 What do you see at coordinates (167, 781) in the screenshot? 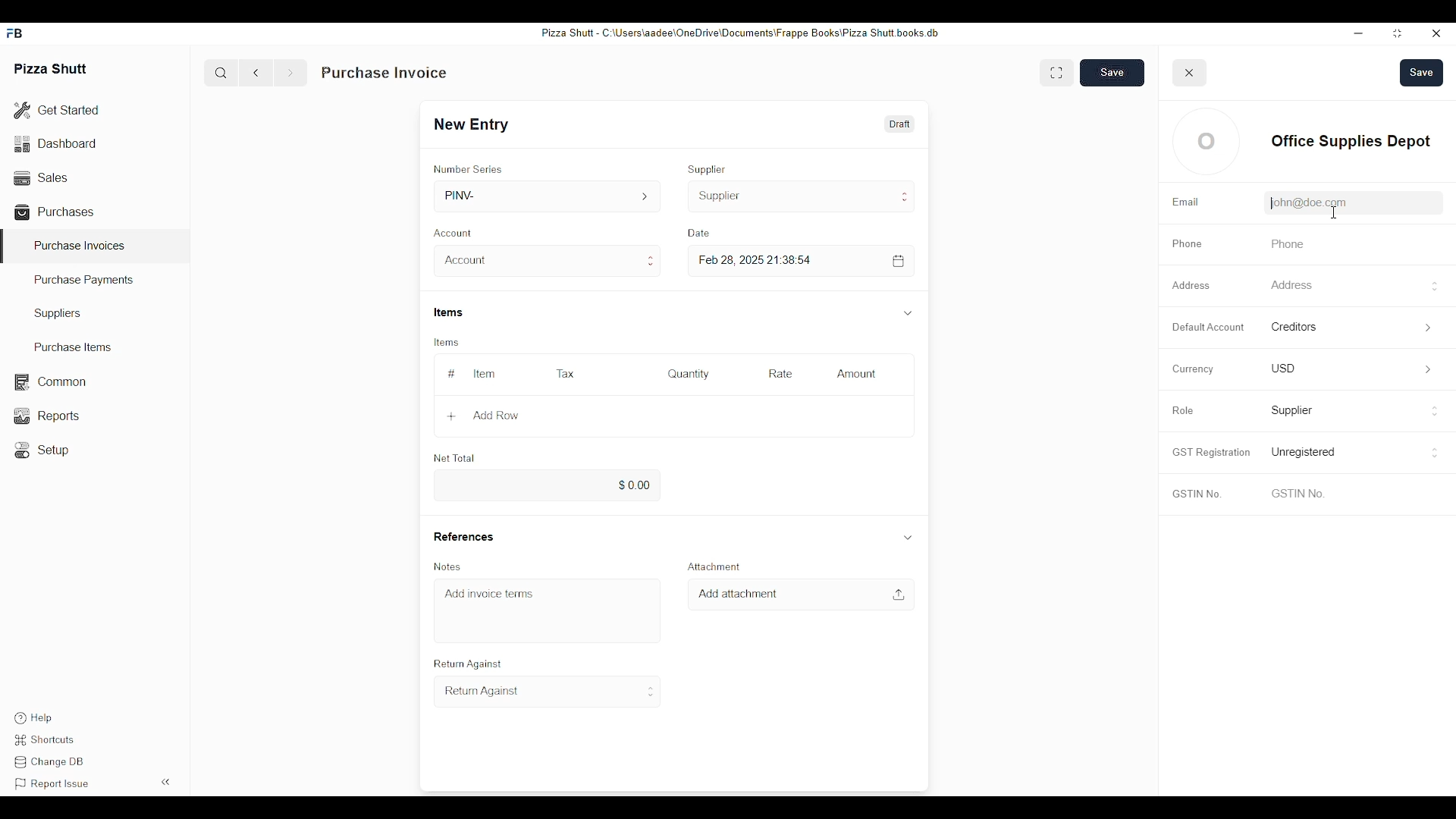
I see `<<` at bounding box center [167, 781].